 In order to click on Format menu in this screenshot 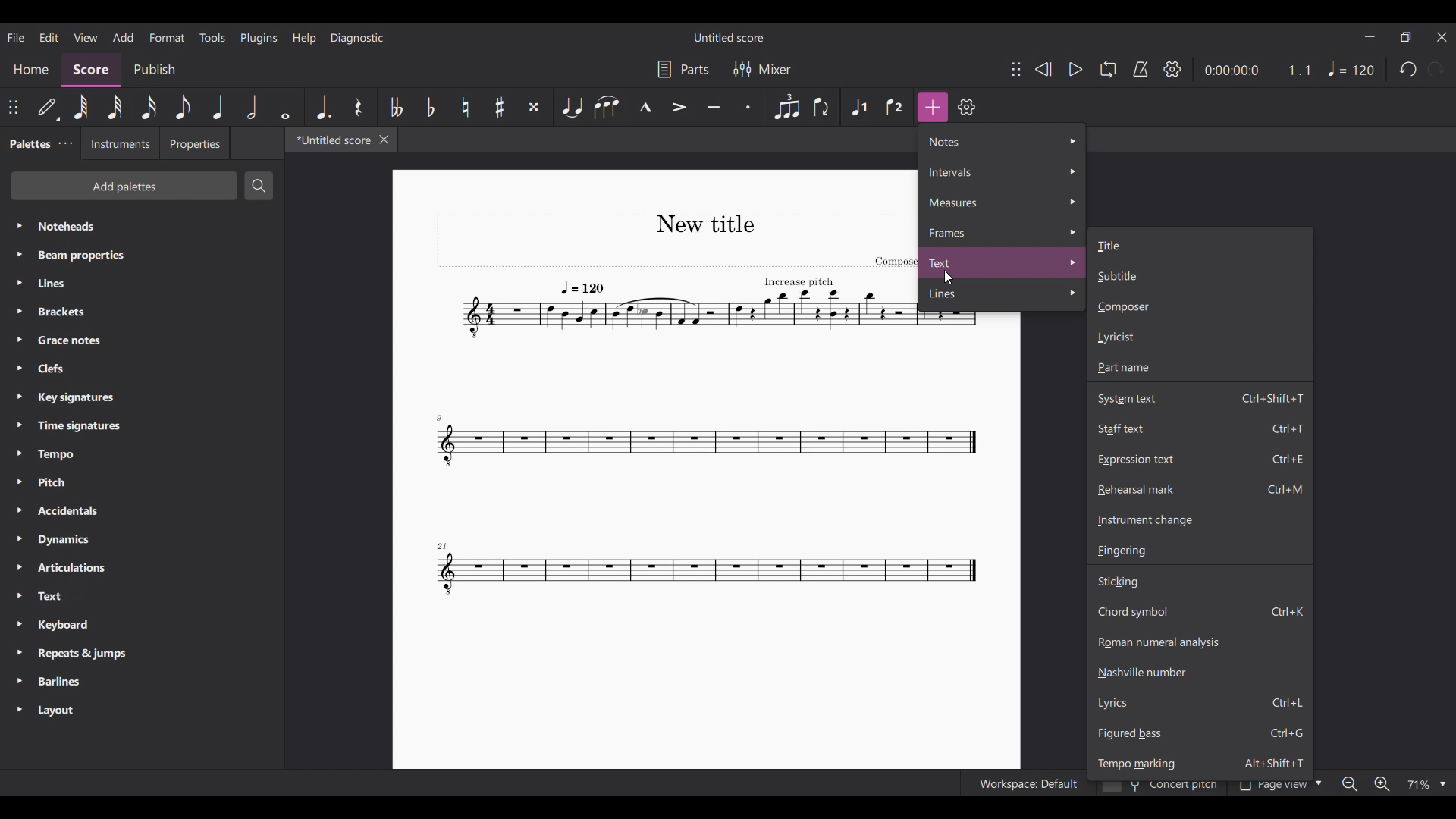, I will do `click(167, 38)`.